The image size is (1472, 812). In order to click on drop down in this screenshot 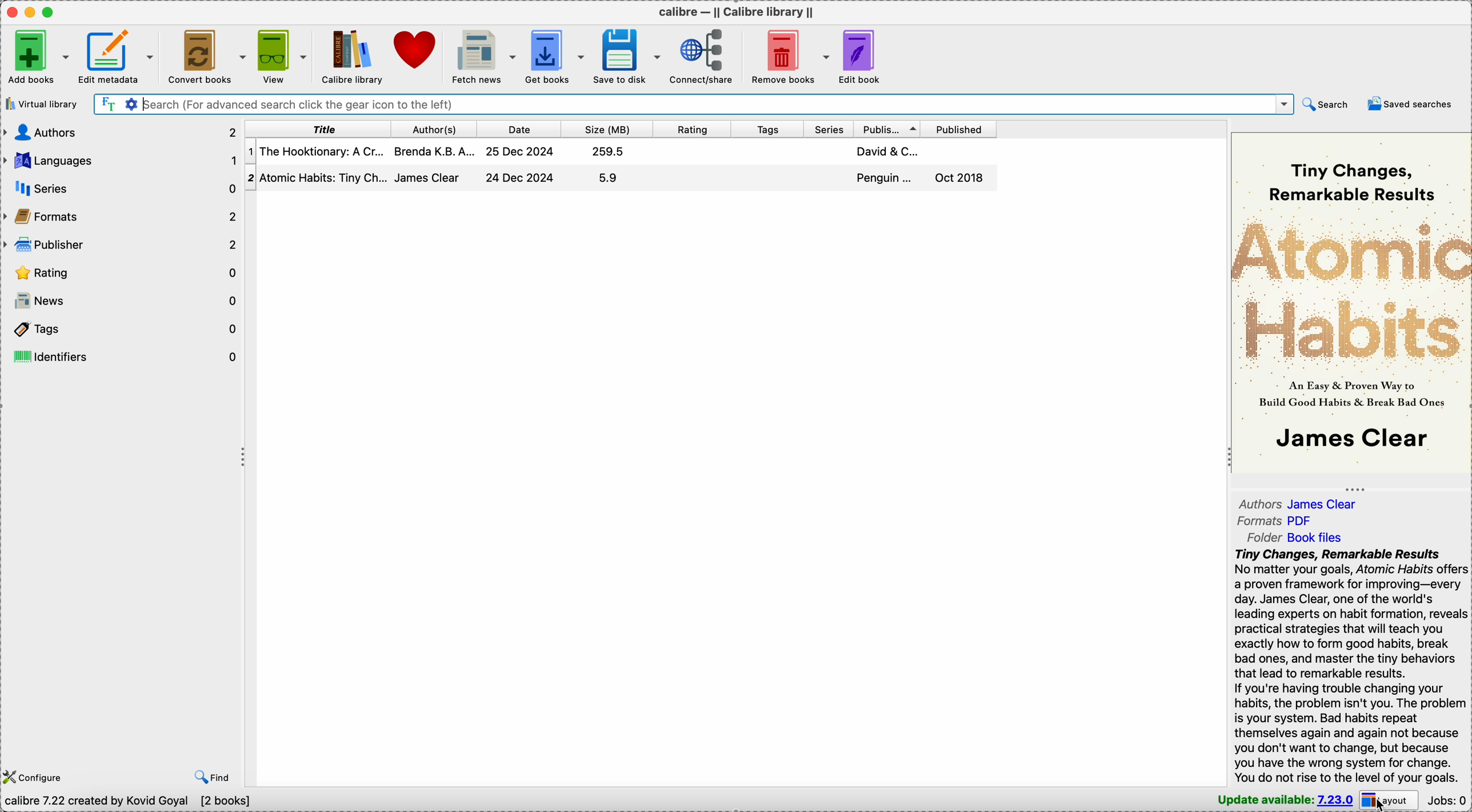, I will do `click(1285, 104)`.